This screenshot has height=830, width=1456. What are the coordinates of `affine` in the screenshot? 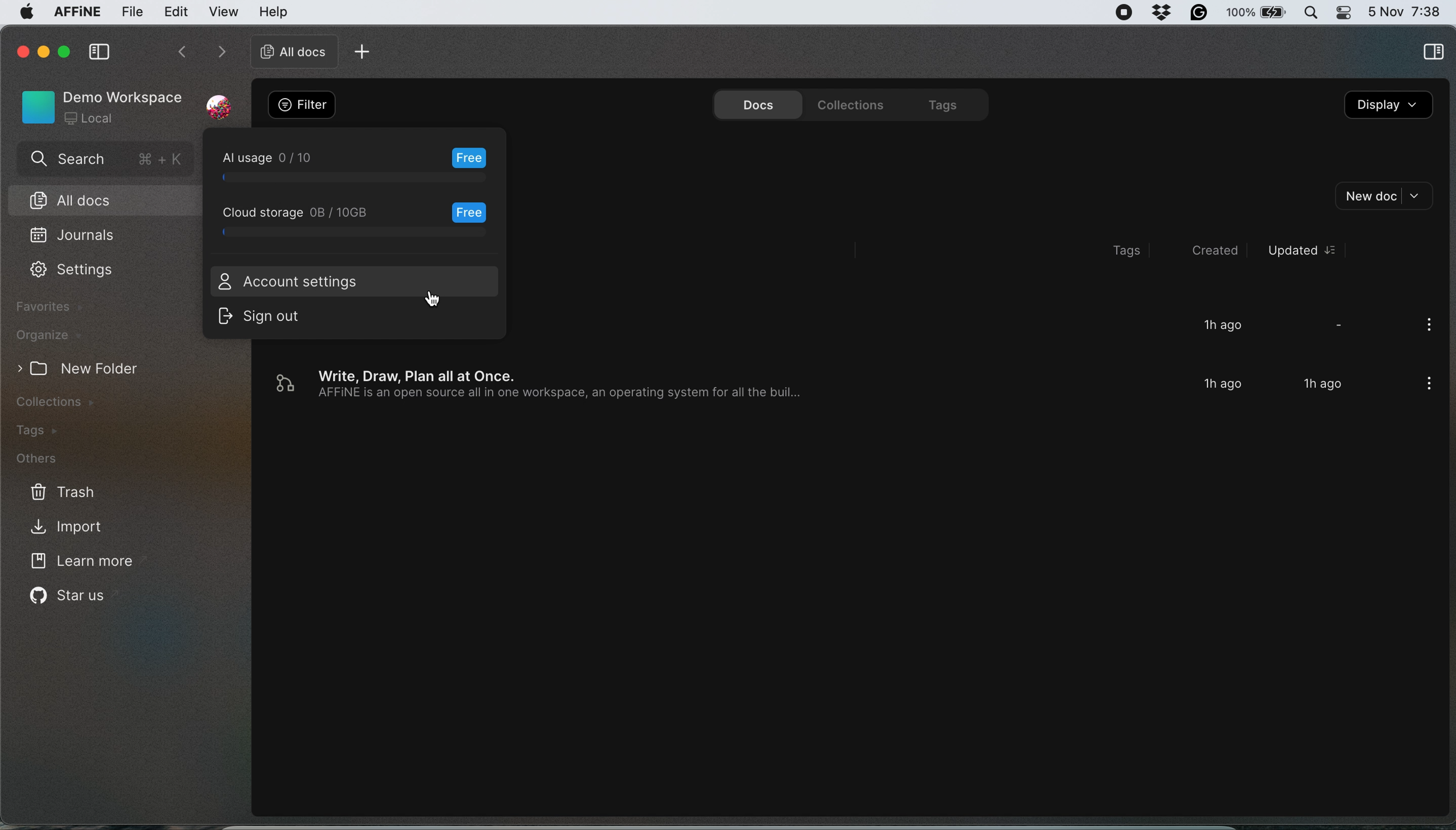 It's located at (76, 14).